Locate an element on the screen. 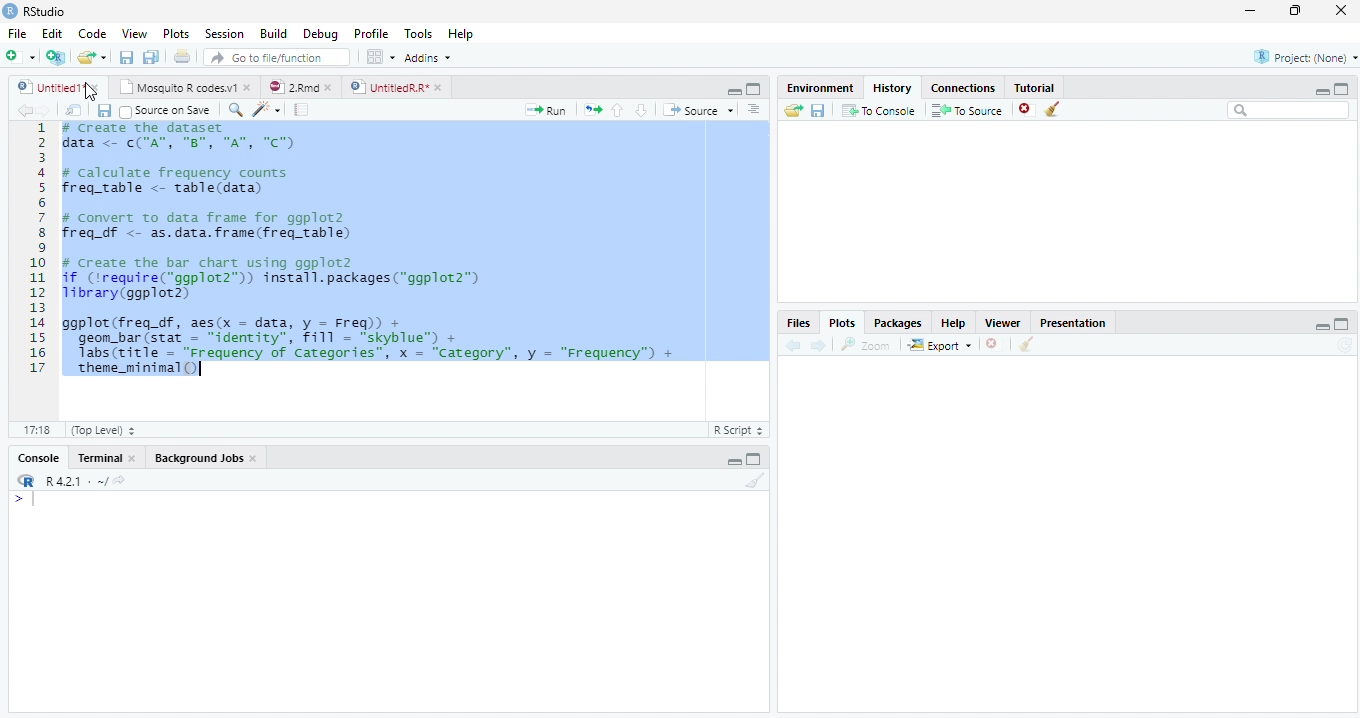  Open an existing file is located at coordinates (93, 58).